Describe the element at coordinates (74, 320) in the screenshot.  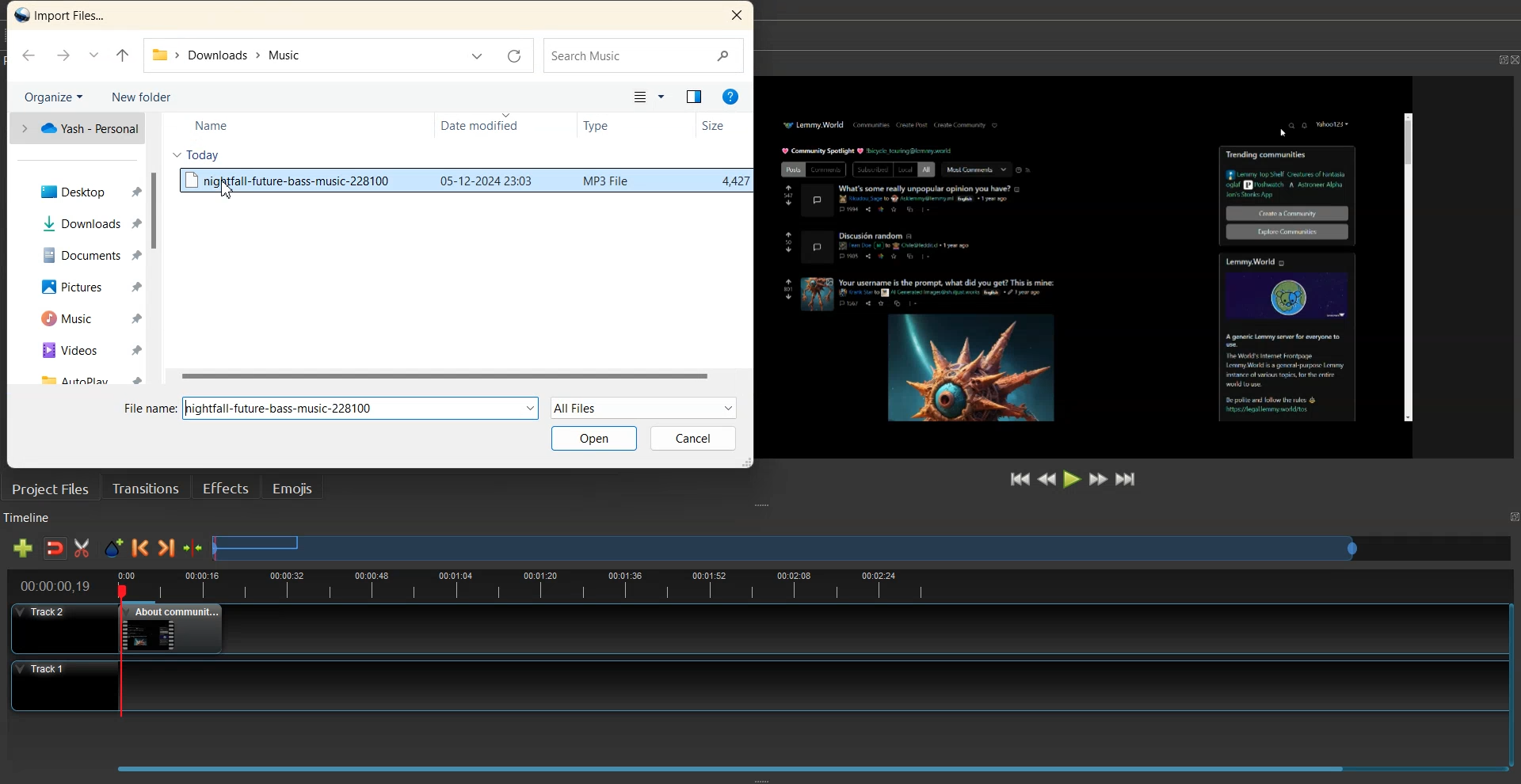
I see `Music` at that location.